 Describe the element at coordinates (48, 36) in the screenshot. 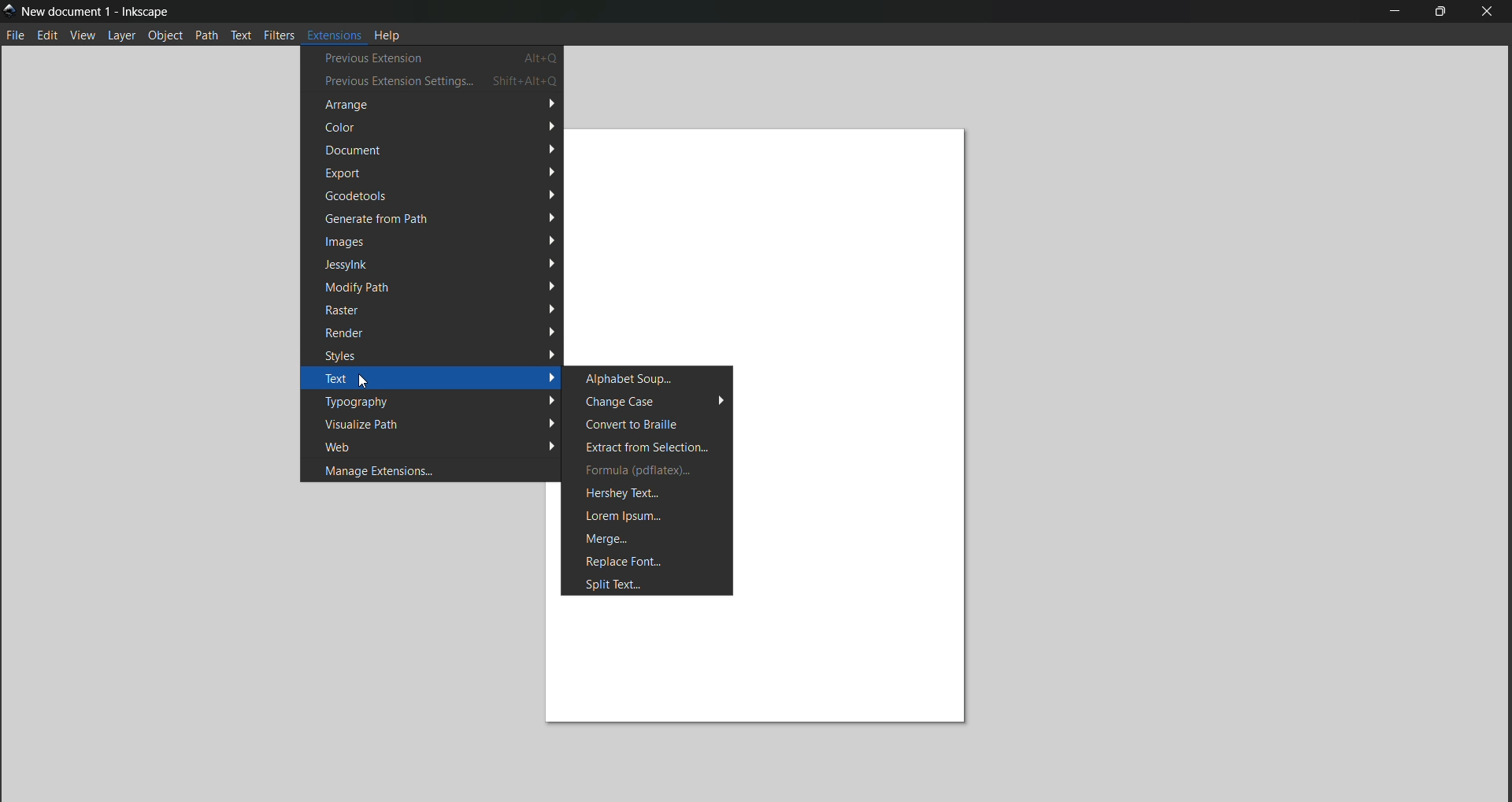

I see `edit` at that location.